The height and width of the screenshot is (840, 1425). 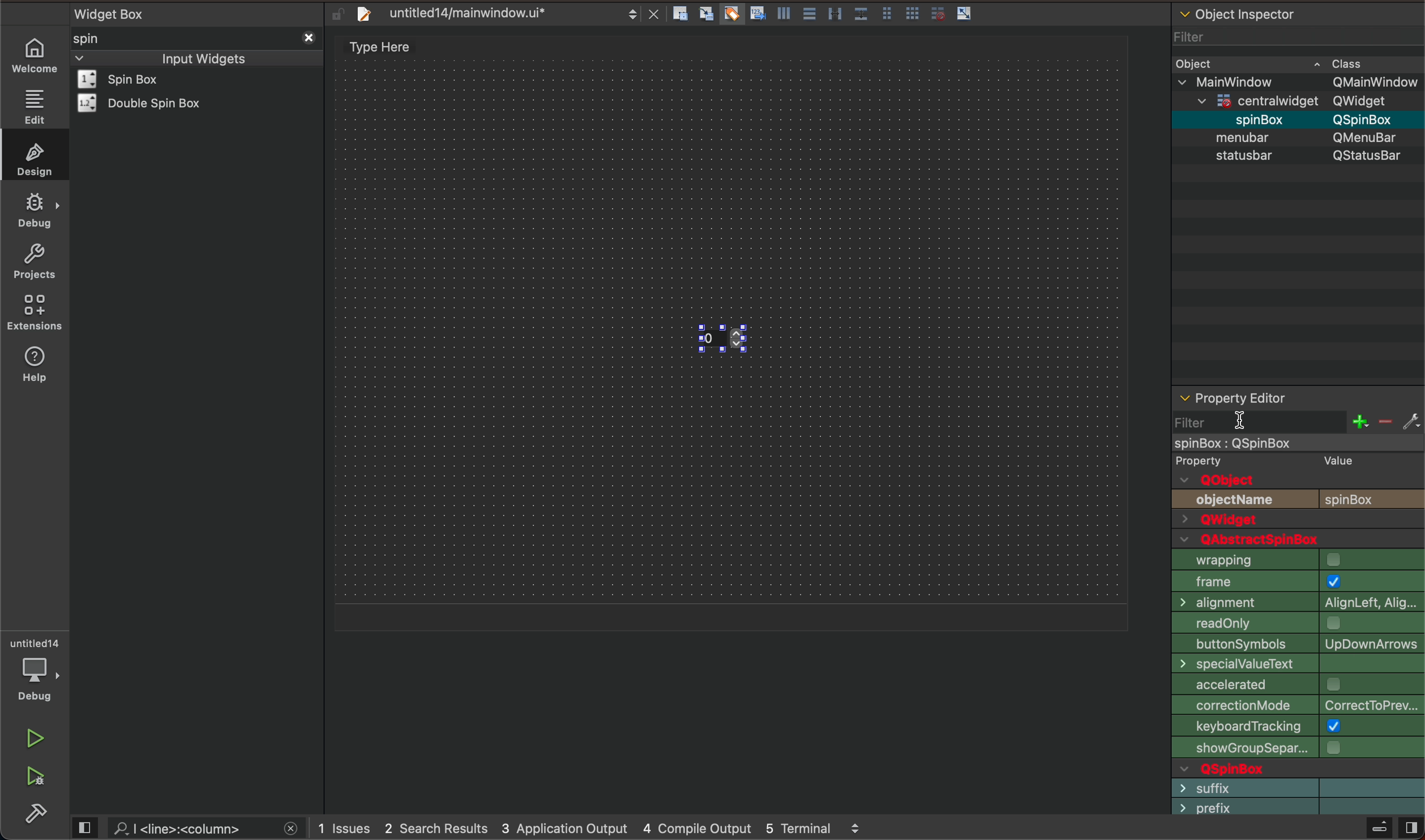 What do you see at coordinates (1223, 480) in the screenshot?
I see `text` at bounding box center [1223, 480].